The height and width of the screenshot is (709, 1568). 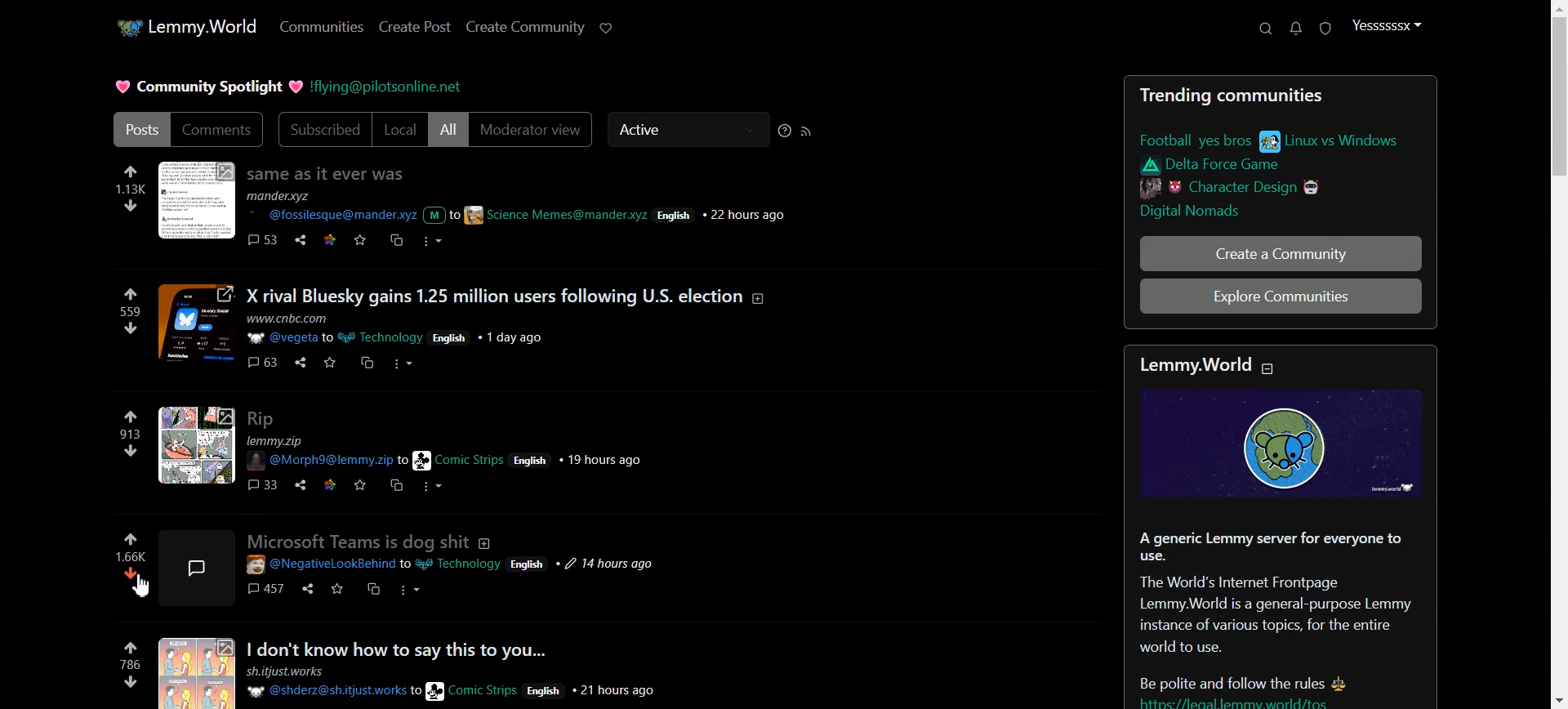 What do you see at coordinates (130, 665) in the screenshot?
I see `786` at bounding box center [130, 665].